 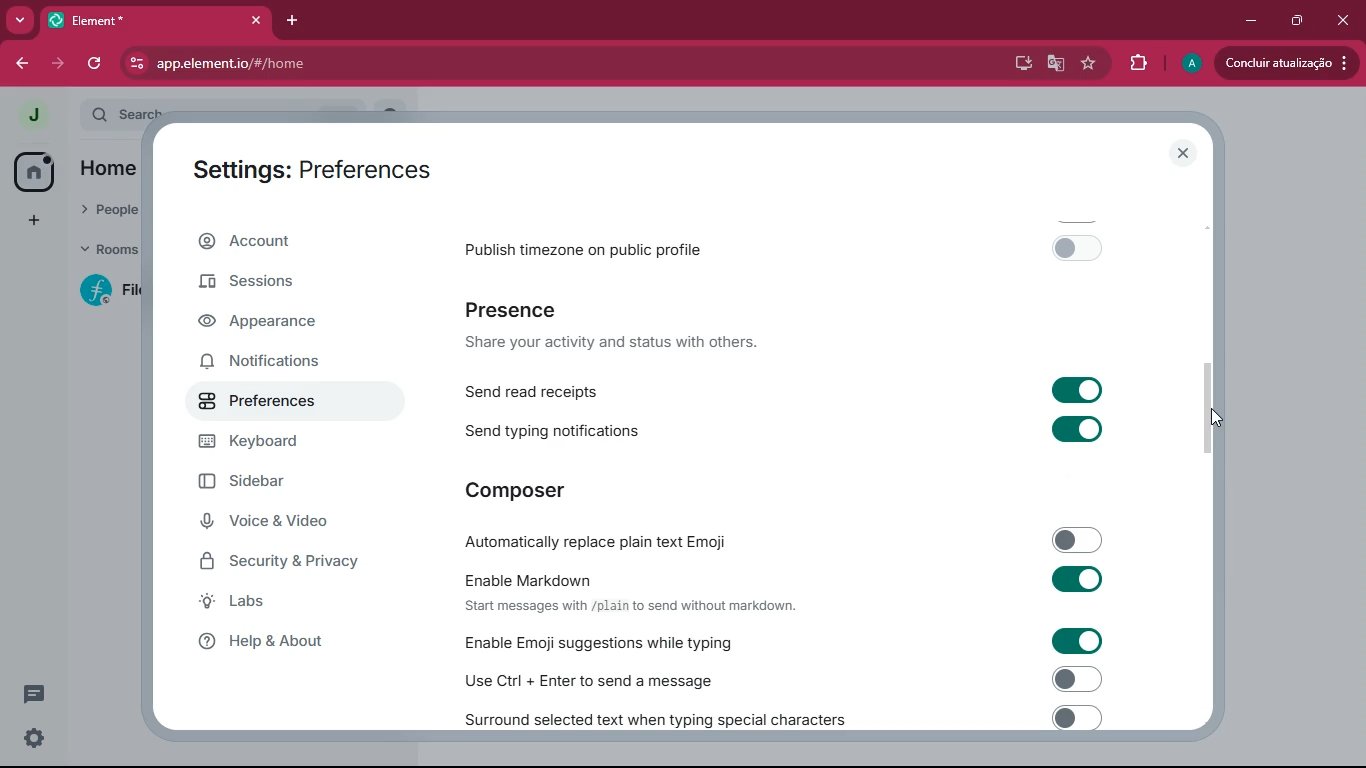 What do you see at coordinates (297, 21) in the screenshot?
I see `add tab` at bounding box center [297, 21].